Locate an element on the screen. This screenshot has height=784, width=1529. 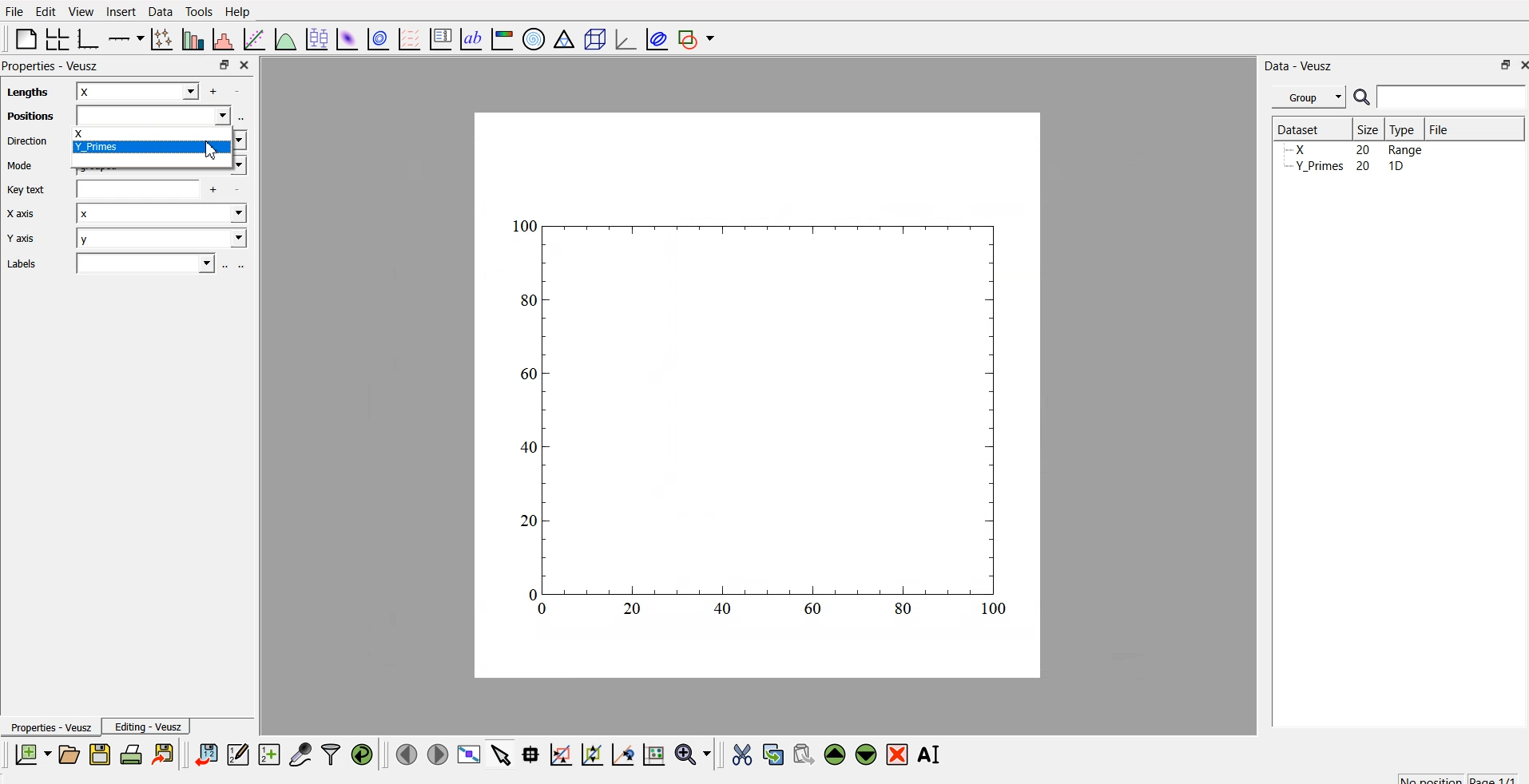
| Size is located at coordinates (1369, 129).